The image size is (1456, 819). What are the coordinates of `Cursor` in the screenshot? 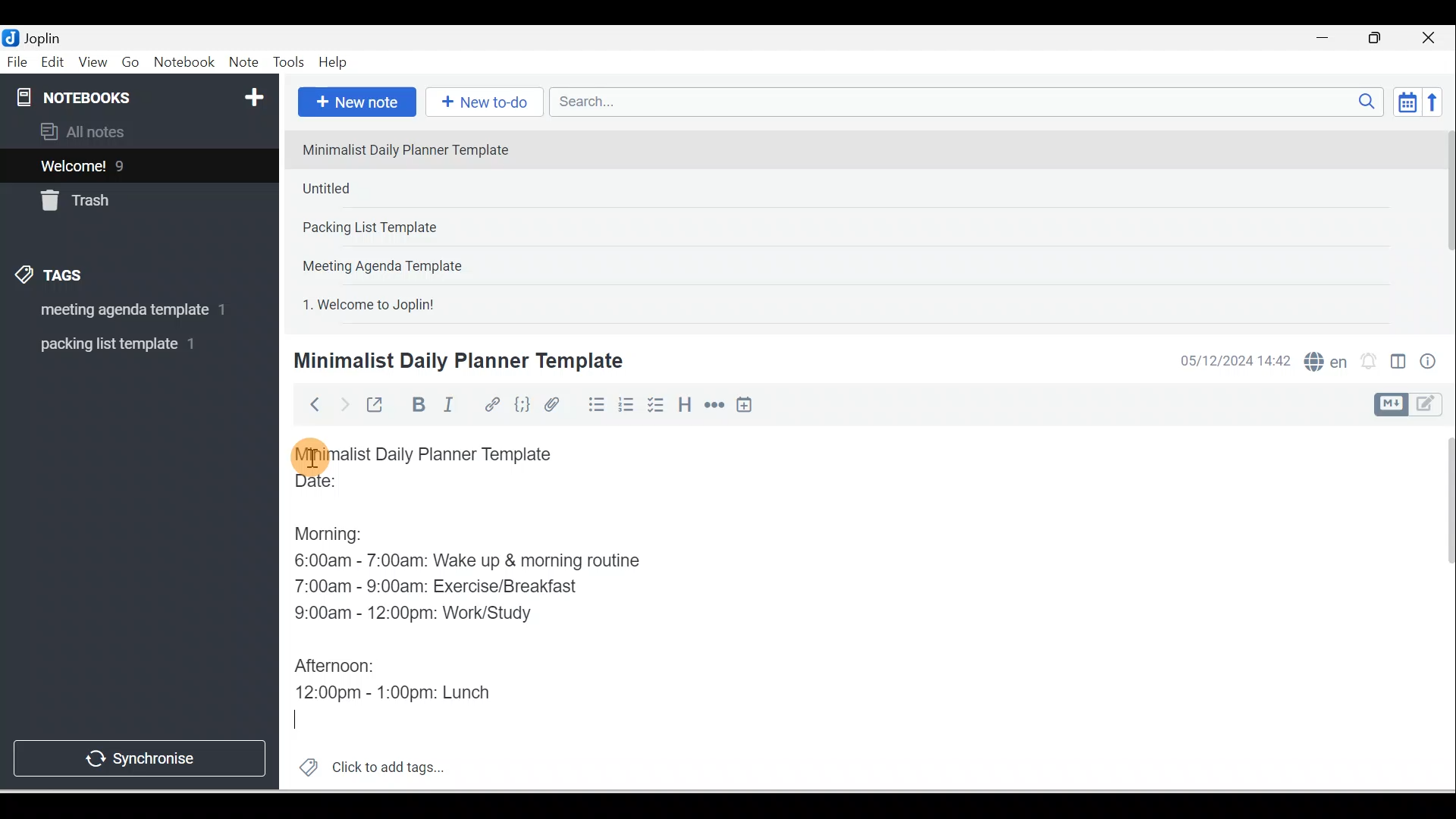 It's located at (309, 722).